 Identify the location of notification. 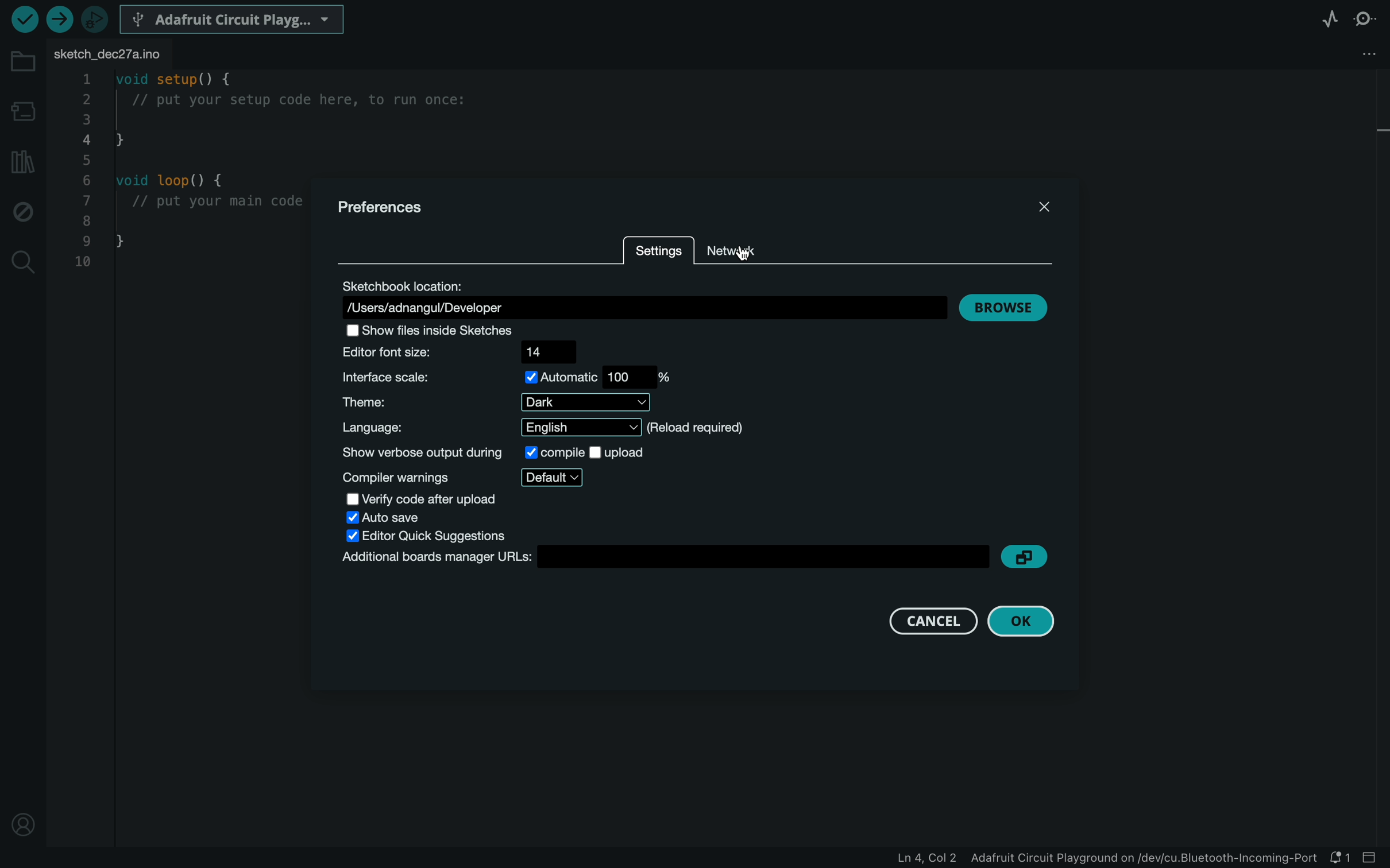
(1338, 857).